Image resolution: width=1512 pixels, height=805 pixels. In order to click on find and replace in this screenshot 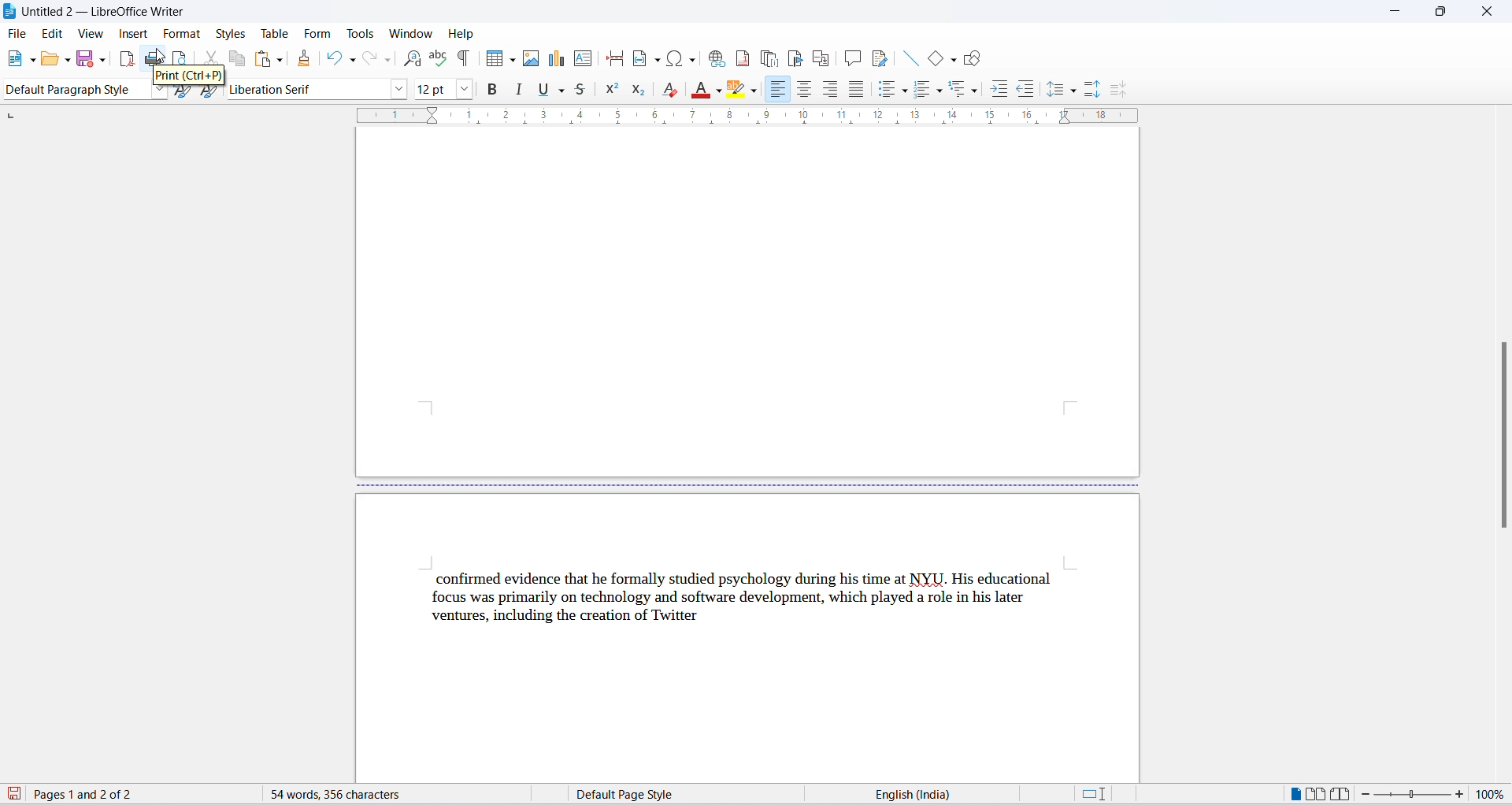, I will do `click(416, 58)`.